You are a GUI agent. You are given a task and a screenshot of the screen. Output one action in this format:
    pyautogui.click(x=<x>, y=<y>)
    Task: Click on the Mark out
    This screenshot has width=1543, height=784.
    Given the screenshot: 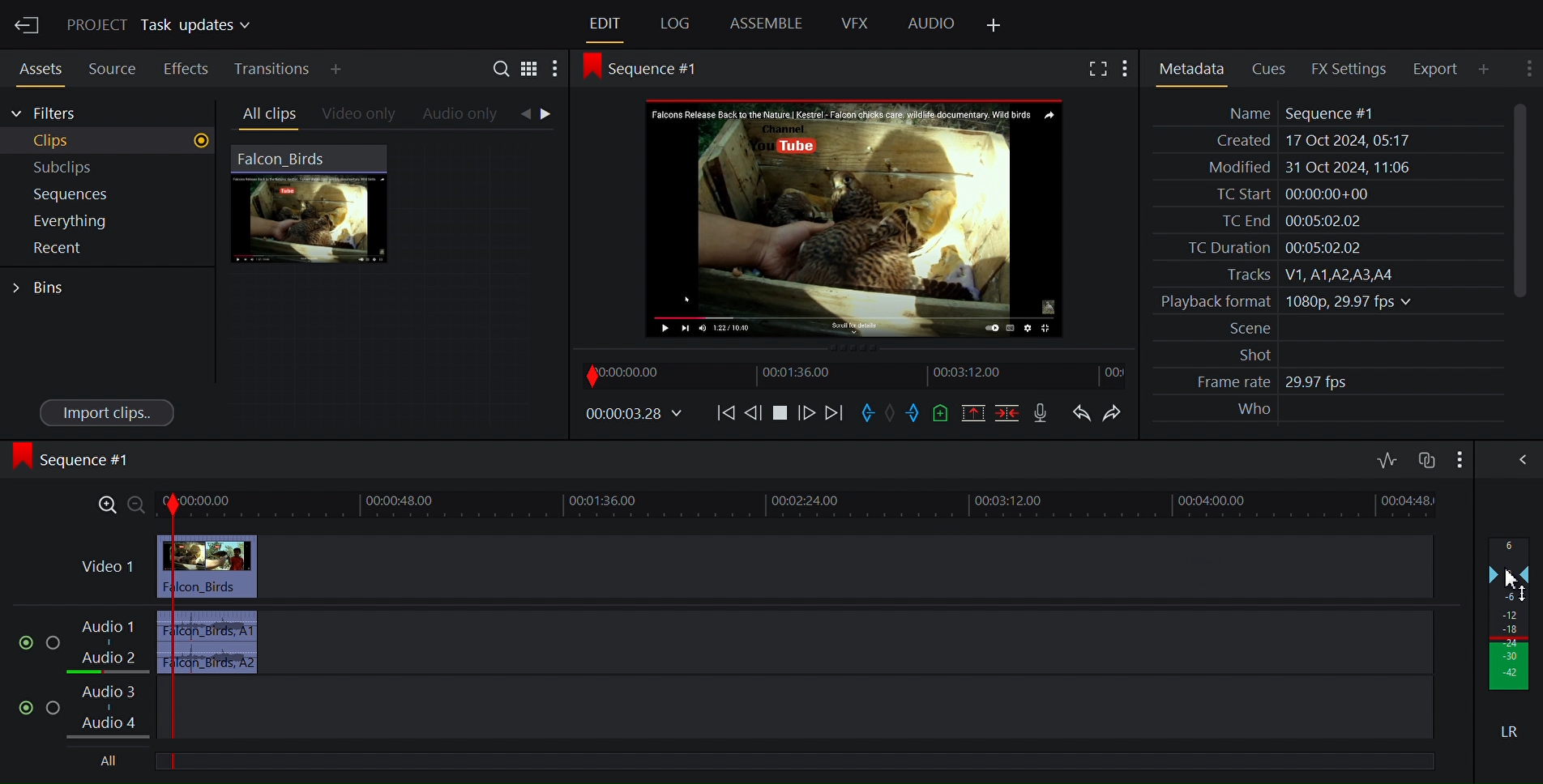 What is the action you would take?
    pyautogui.click(x=914, y=414)
    